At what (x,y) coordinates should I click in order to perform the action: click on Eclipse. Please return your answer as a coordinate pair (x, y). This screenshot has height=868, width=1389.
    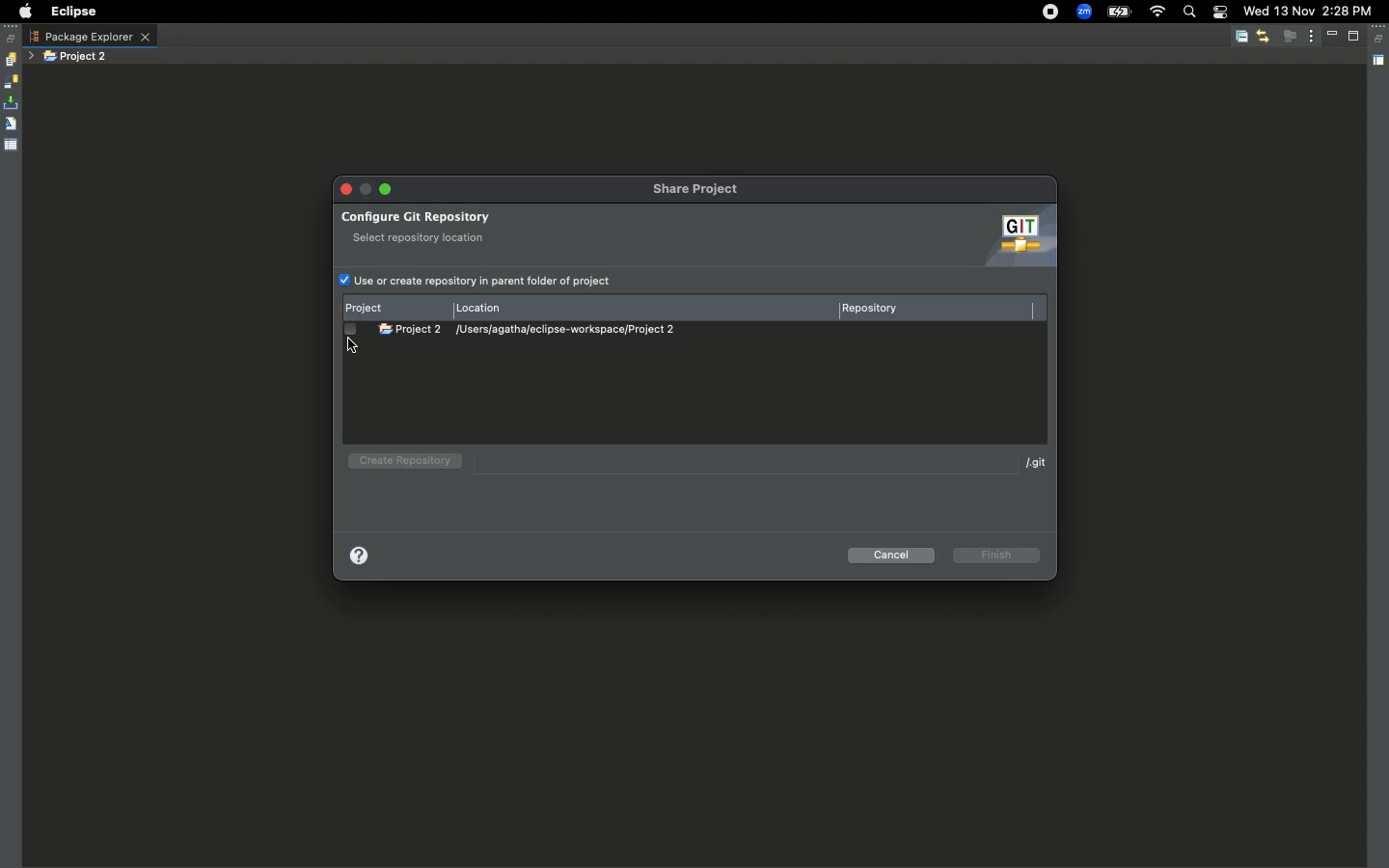
    Looking at the image, I should click on (72, 12).